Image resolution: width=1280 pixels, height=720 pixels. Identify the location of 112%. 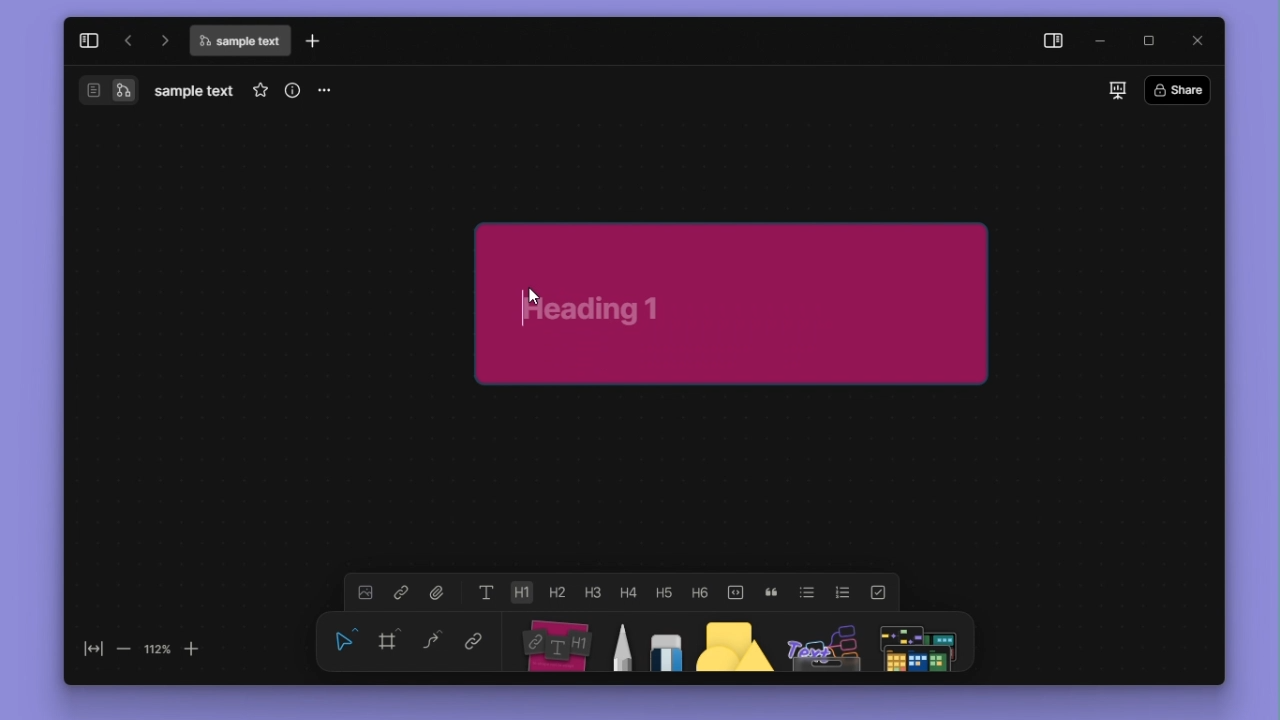
(157, 650).